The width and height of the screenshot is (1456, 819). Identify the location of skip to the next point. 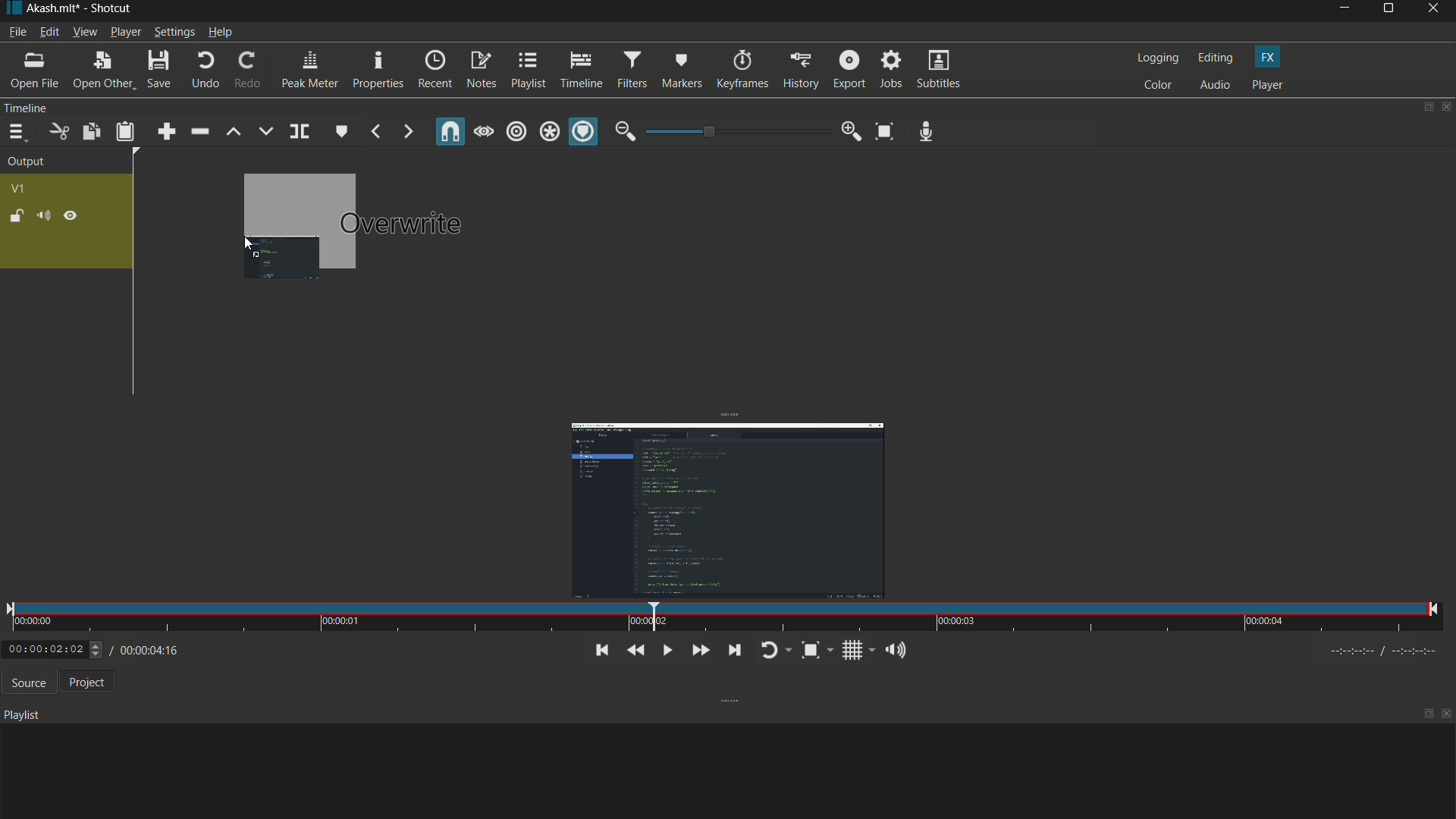
(731, 649).